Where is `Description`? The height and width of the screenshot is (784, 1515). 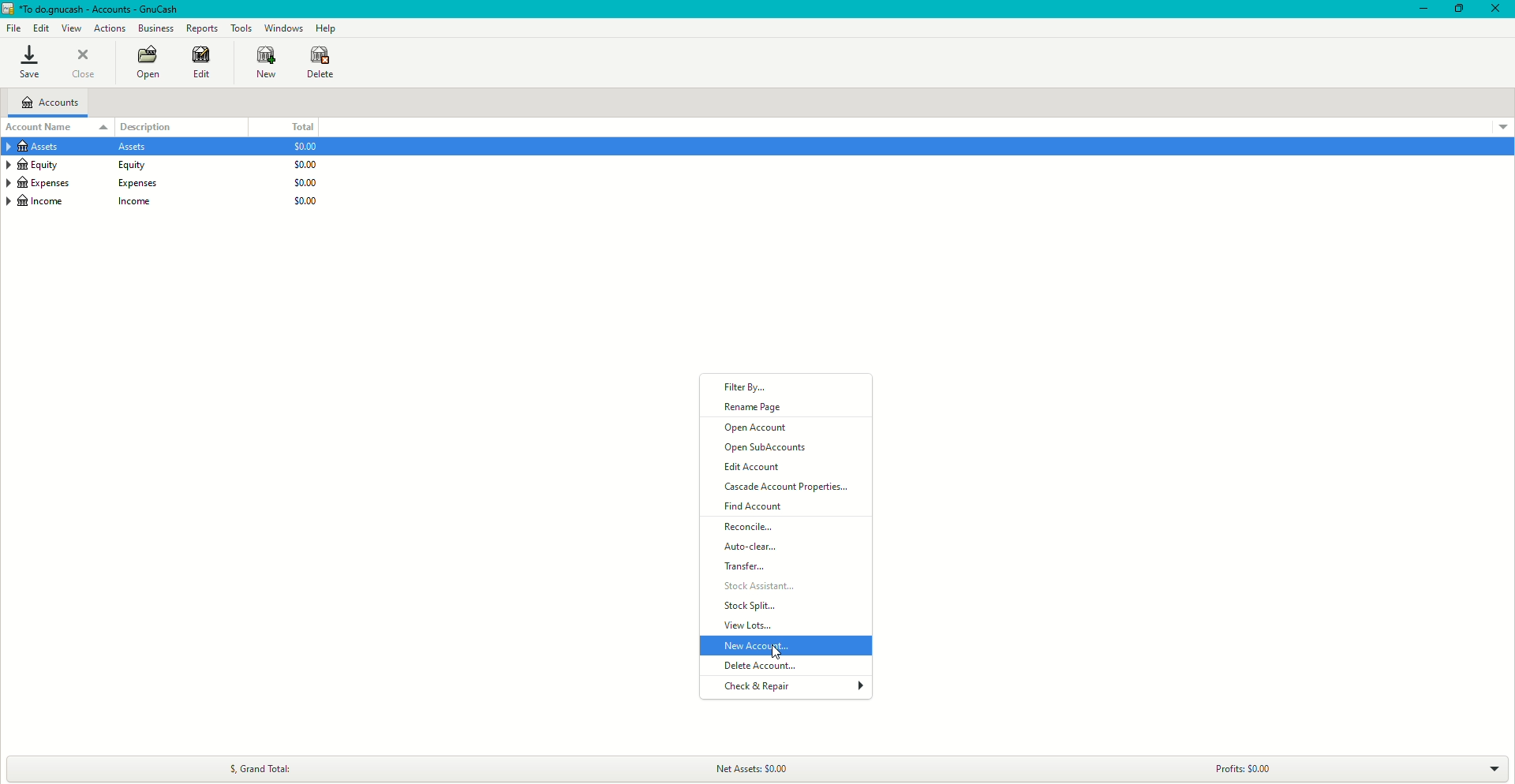 Description is located at coordinates (156, 125).